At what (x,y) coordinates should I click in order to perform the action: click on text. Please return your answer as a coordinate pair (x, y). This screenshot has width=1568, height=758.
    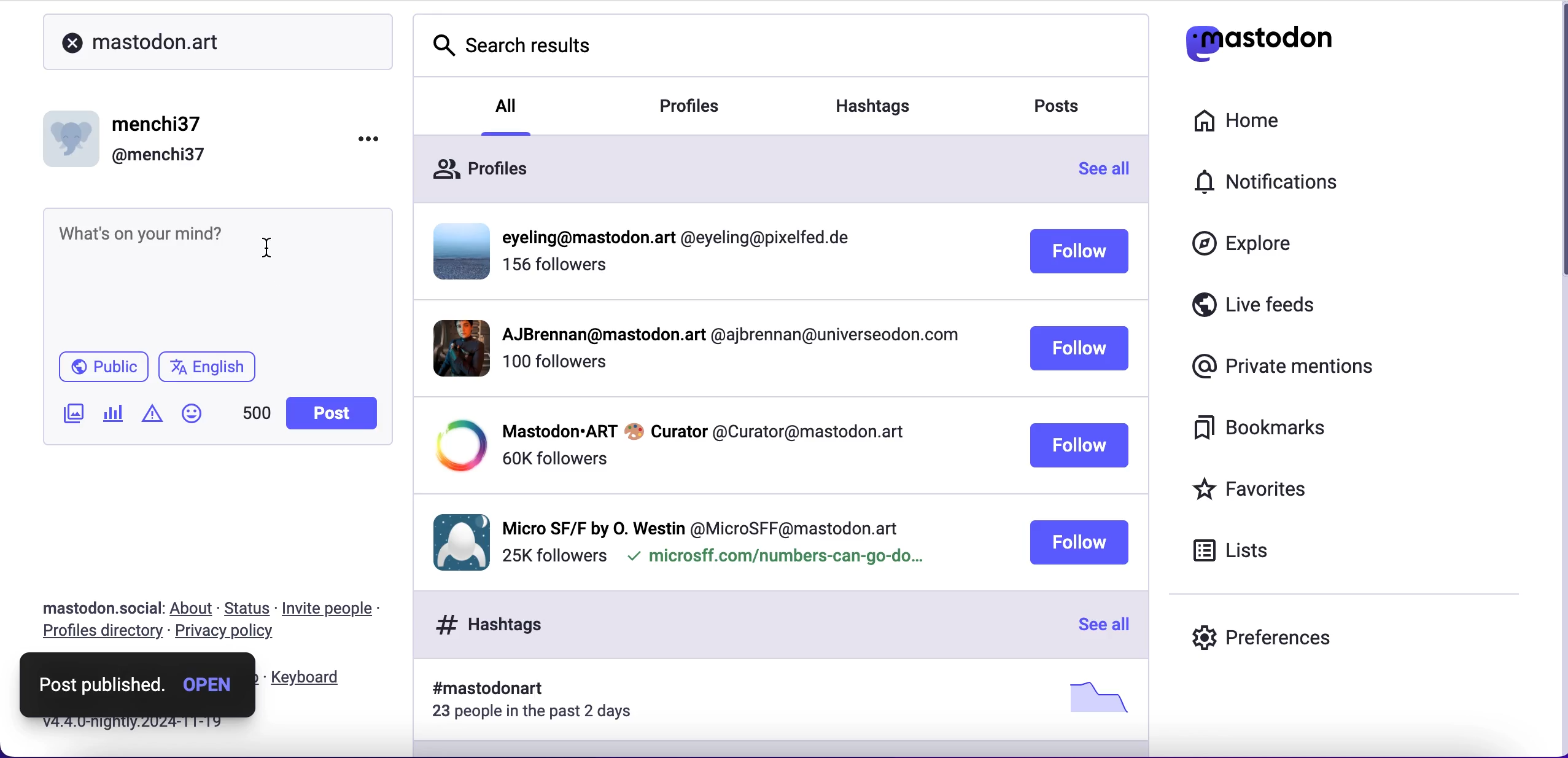
    Looking at the image, I should click on (150, 230).